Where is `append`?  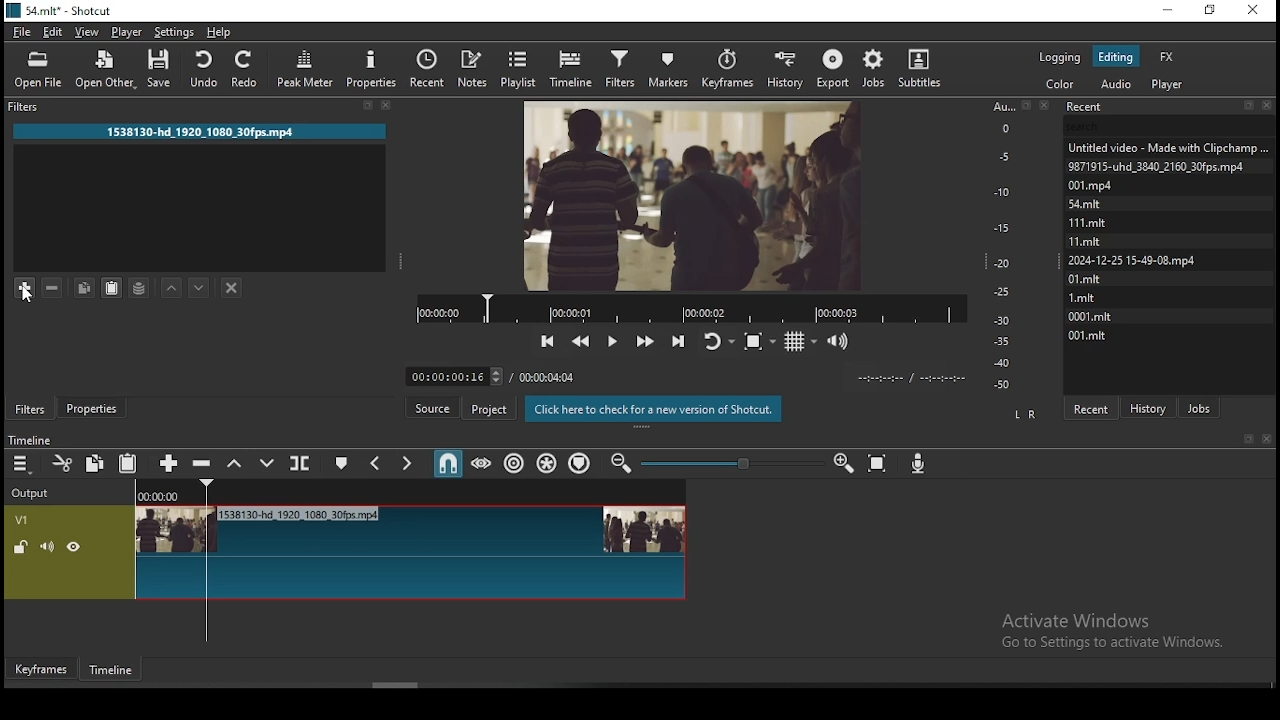 append is located at coordinates (166, 461).